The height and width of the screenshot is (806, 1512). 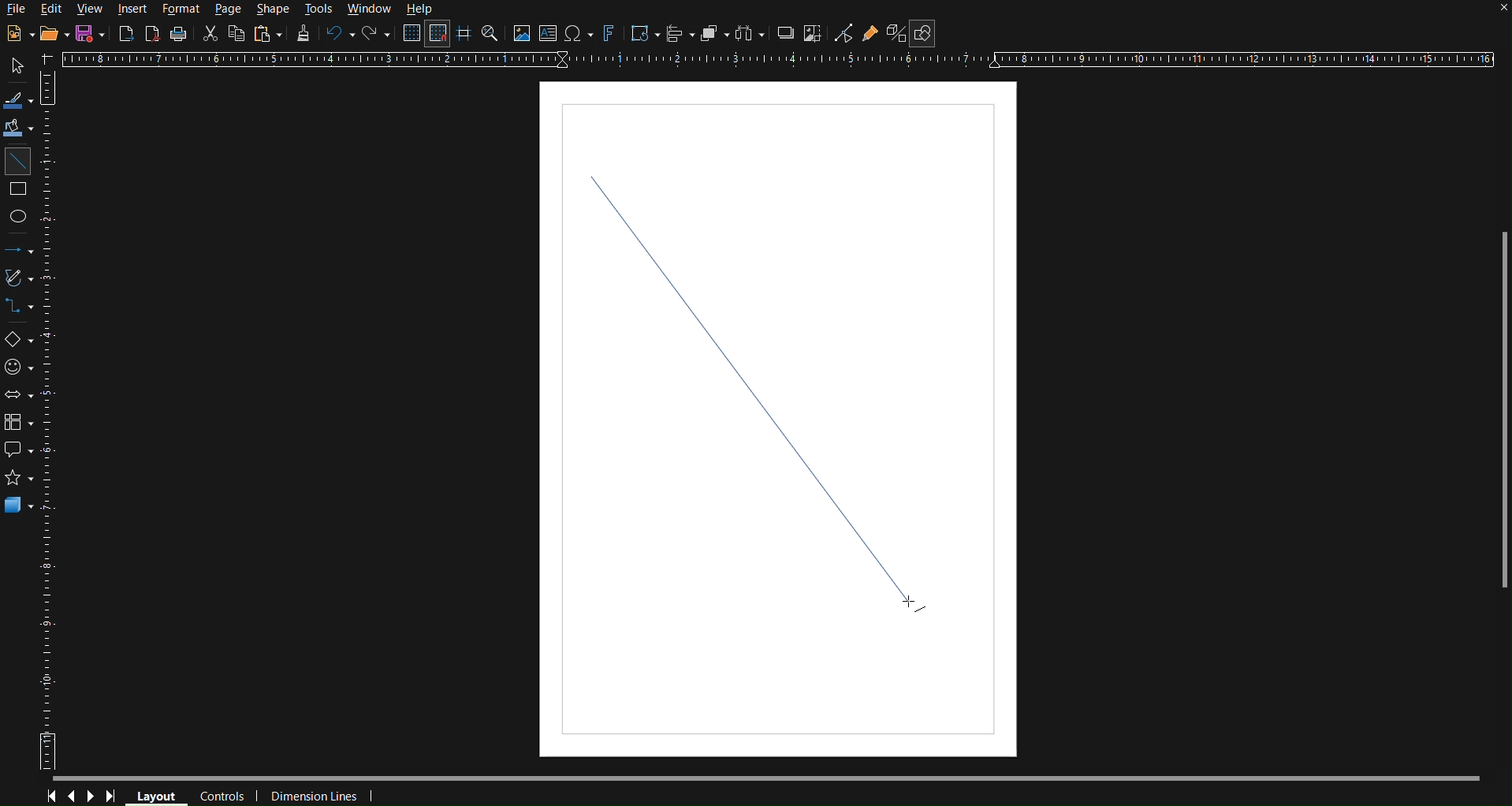 What do you see at coordinates (815, 32) in the screenshot?
I see `Crop Image` at bounding box center [815, 32].